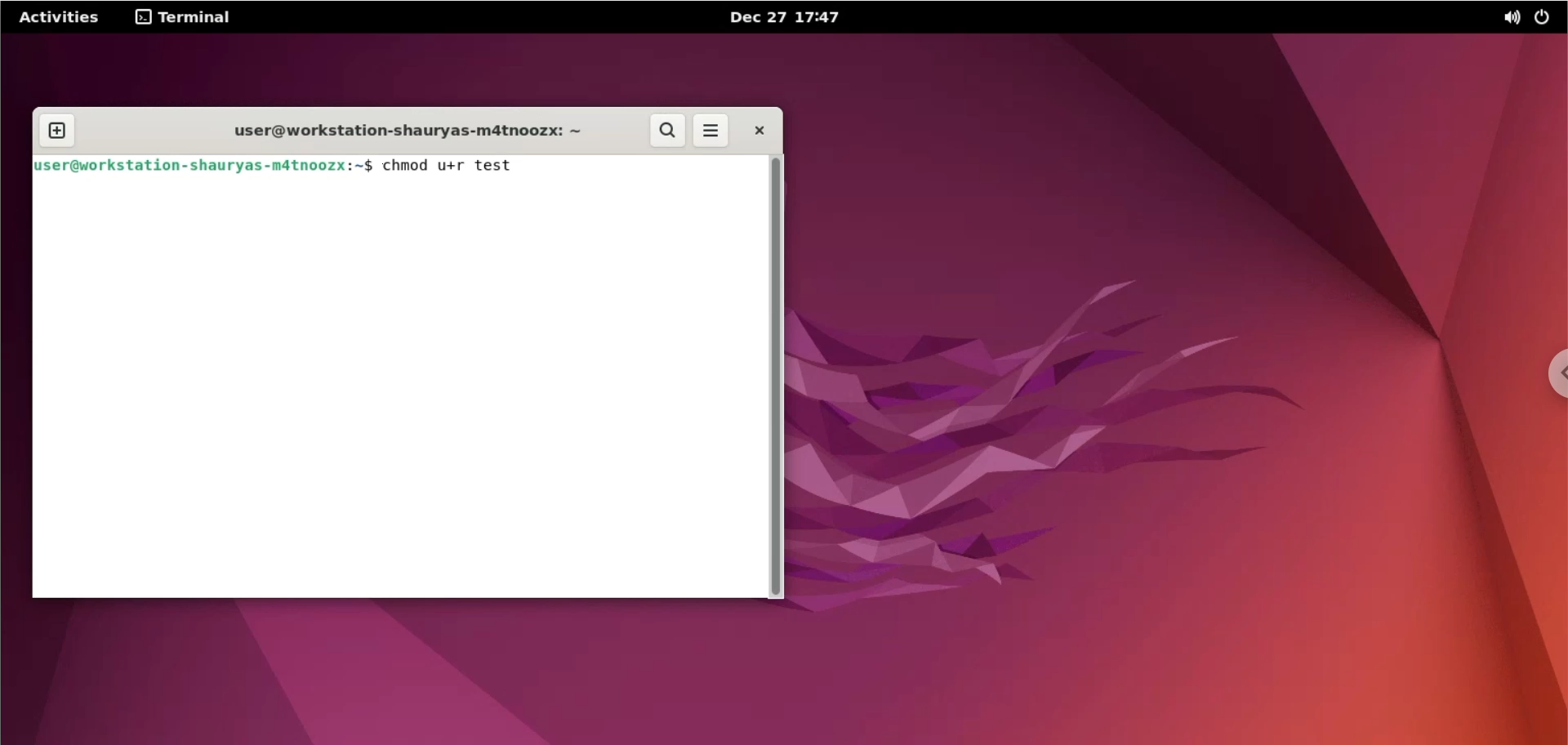 The width and height of the screenshot is (1568, 745). Describe the element at coordinates (204, 165) in the screenshot. I see `user@workstation-shauryas-m4tnoozx:~$` at that location.